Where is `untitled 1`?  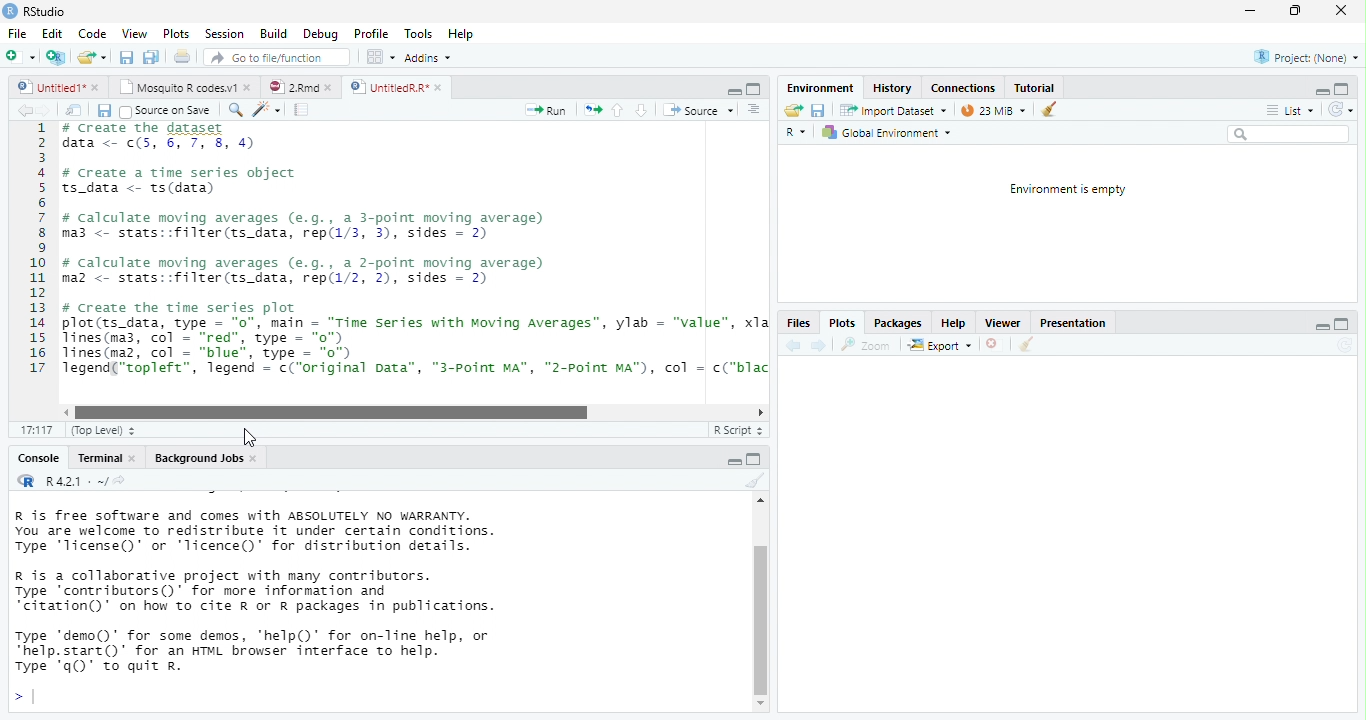
untitled 1 is located at coordinates (46, 86).